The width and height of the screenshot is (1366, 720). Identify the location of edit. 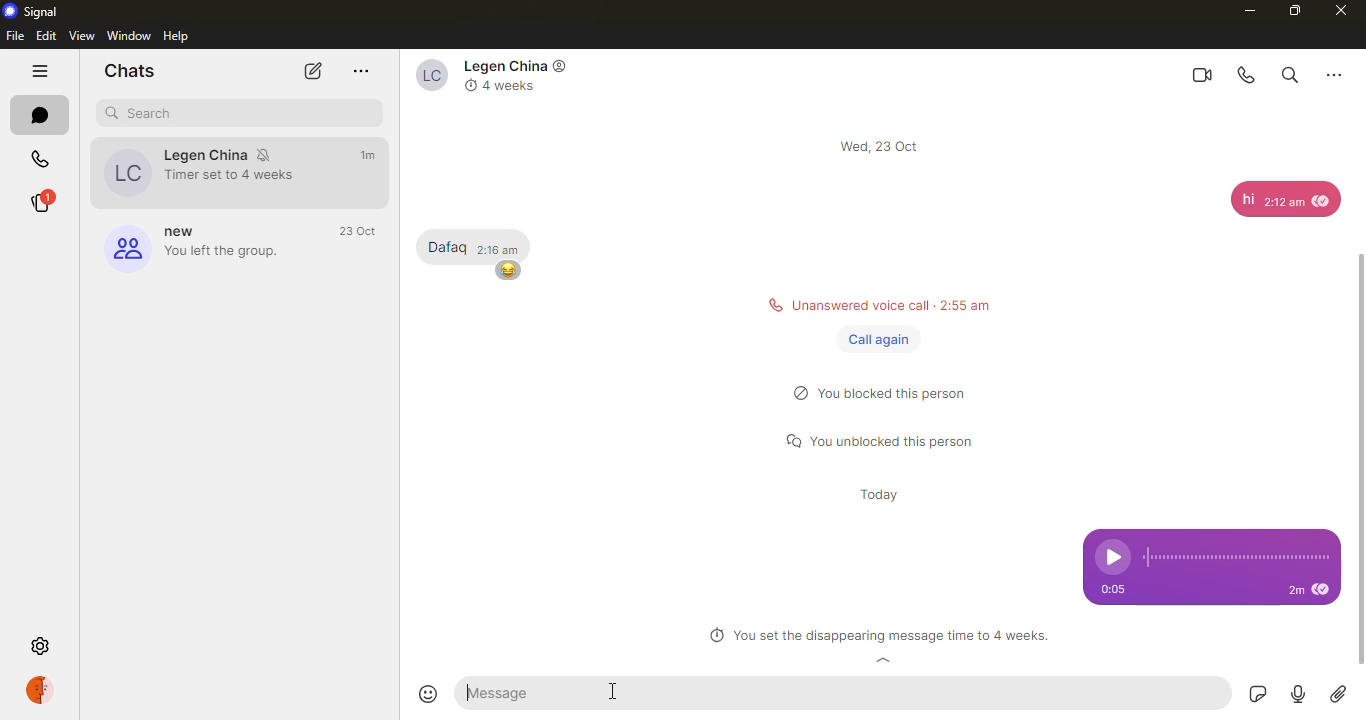
(46, 35).